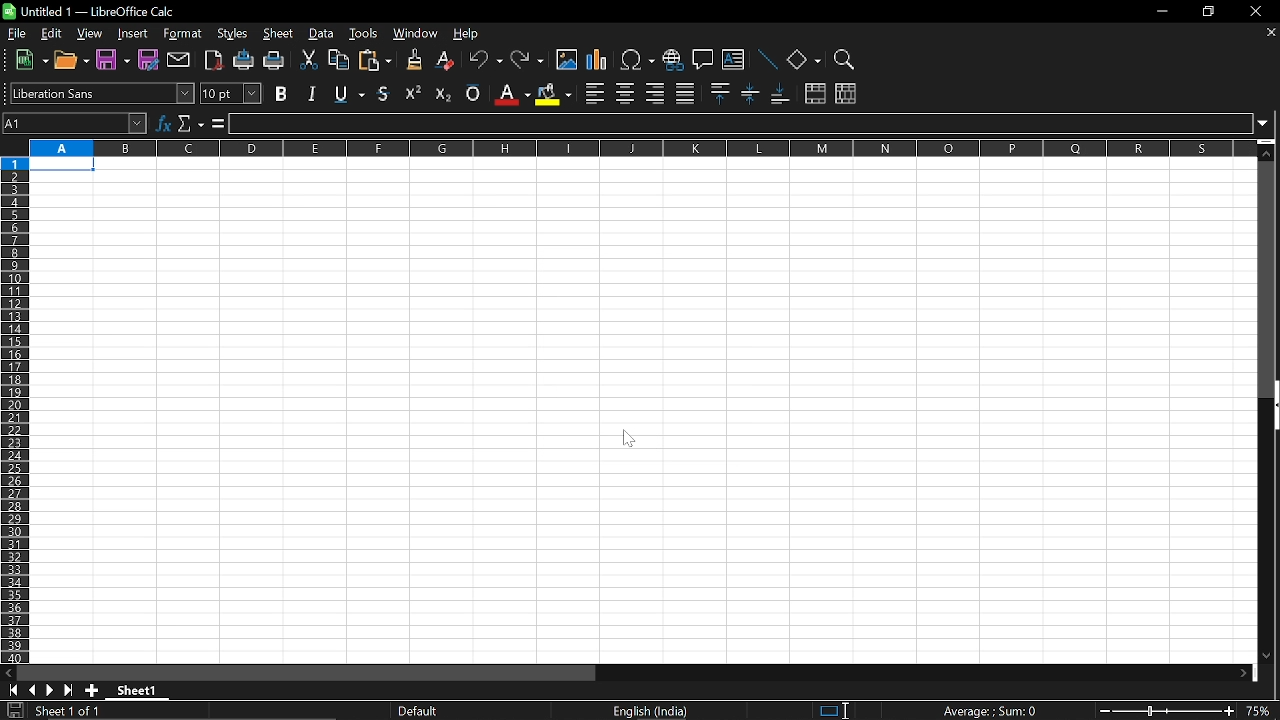  I want to click on cut, so click(307, 61).